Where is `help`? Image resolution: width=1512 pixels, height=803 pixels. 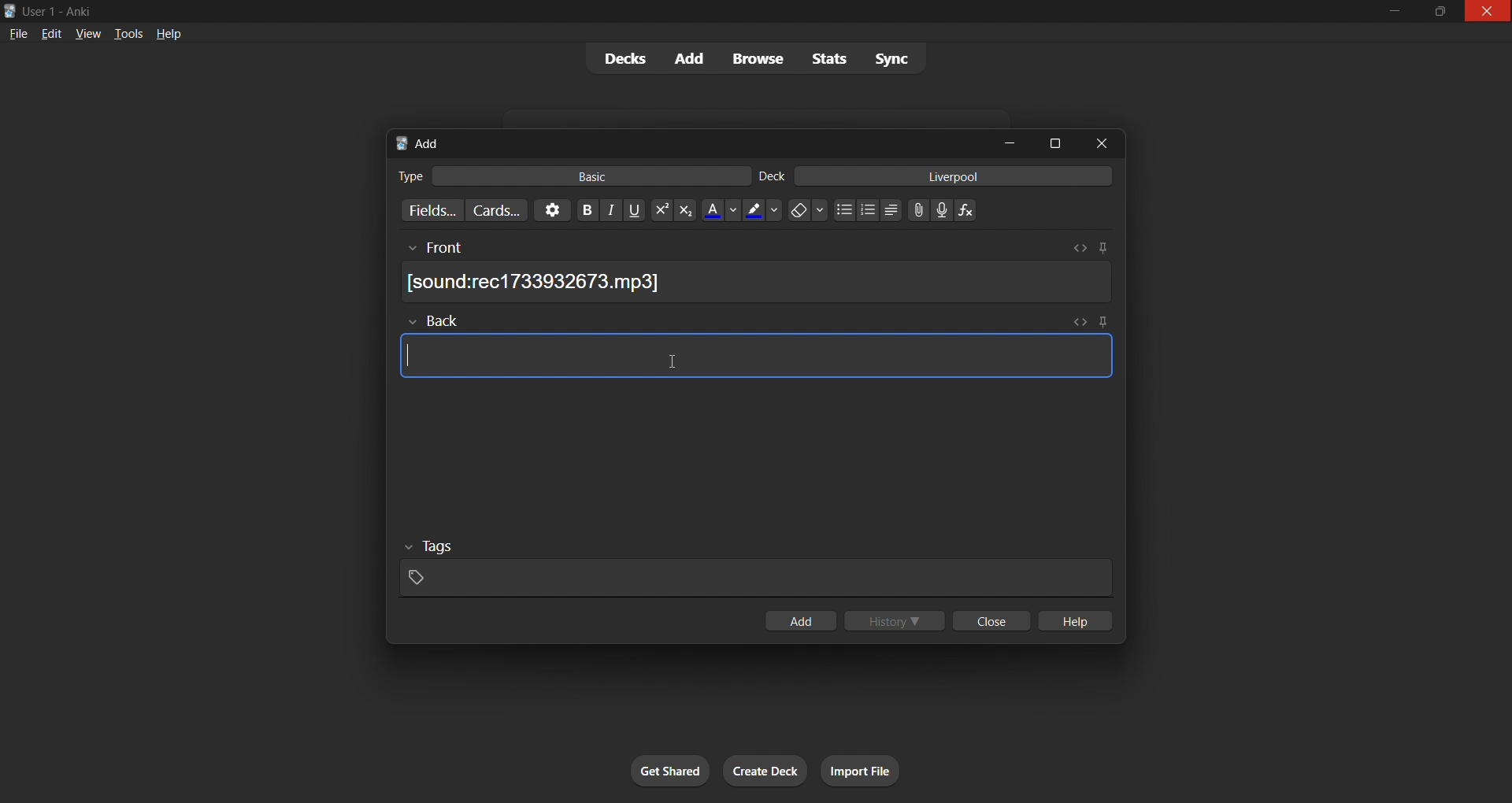 help is located at coordinates (1080, 620).